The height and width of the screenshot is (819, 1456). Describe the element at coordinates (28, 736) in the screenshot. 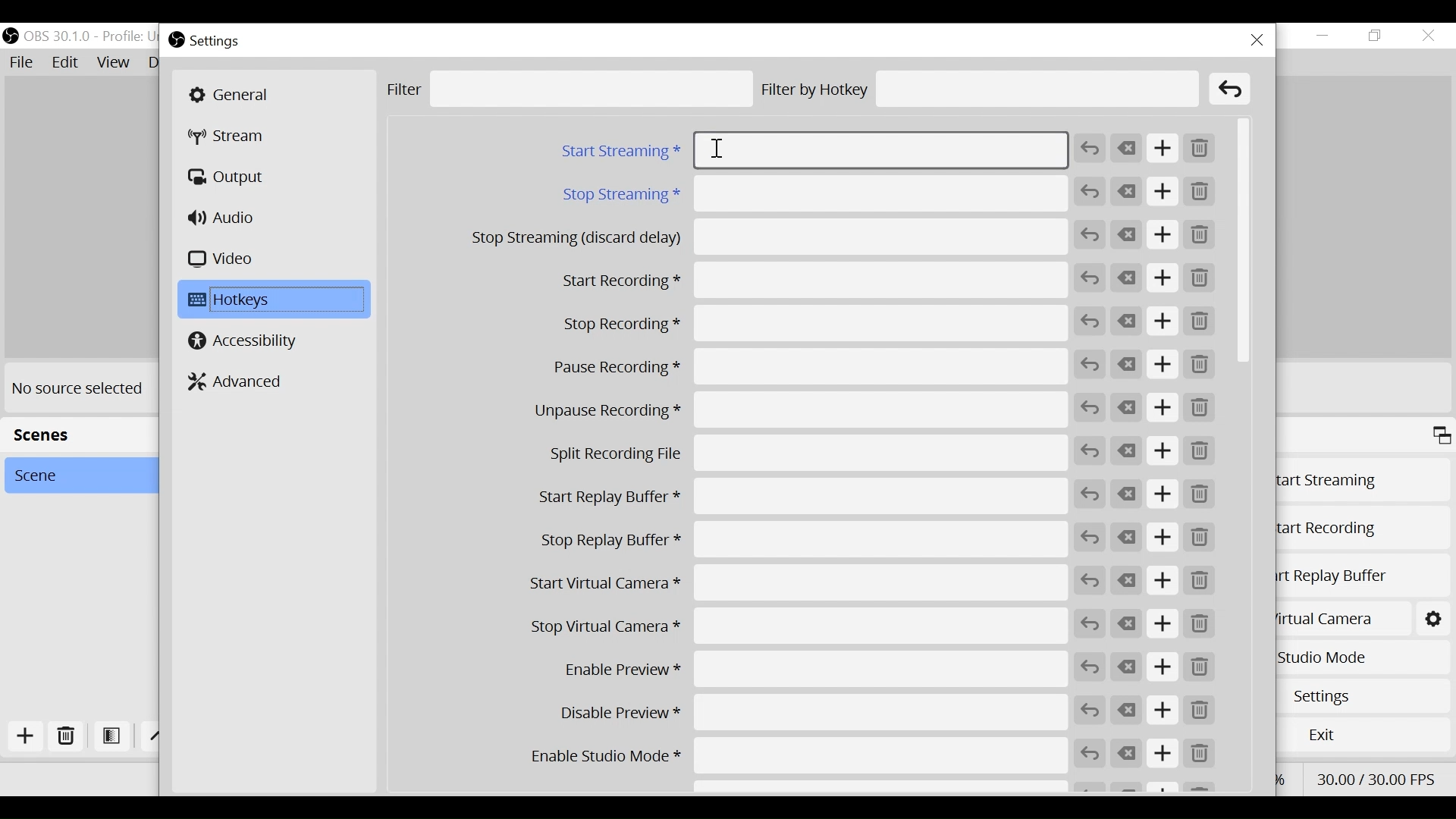

I see `Add` at that location.